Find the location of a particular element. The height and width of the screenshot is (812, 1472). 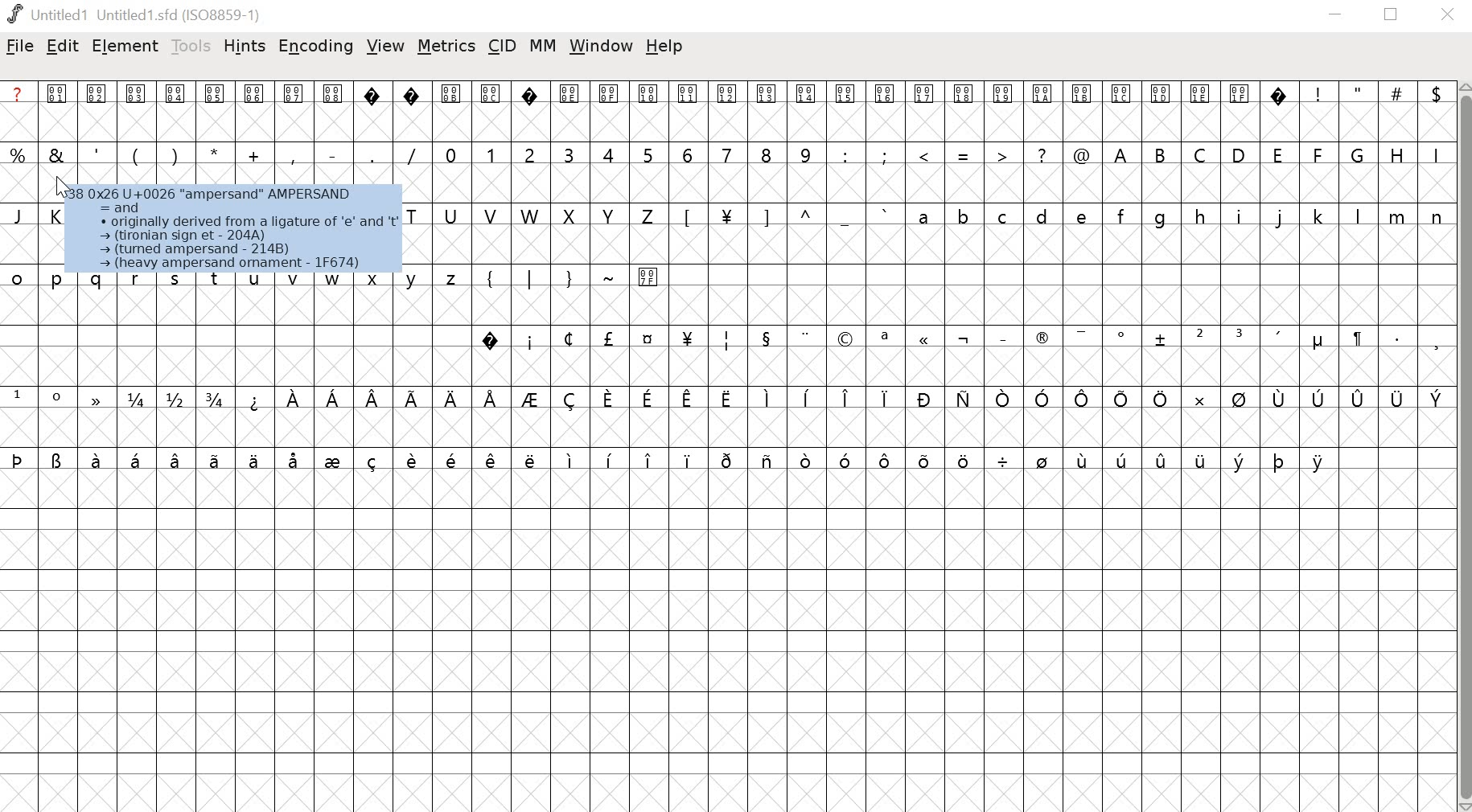

w is located at coordinates (333, 280).